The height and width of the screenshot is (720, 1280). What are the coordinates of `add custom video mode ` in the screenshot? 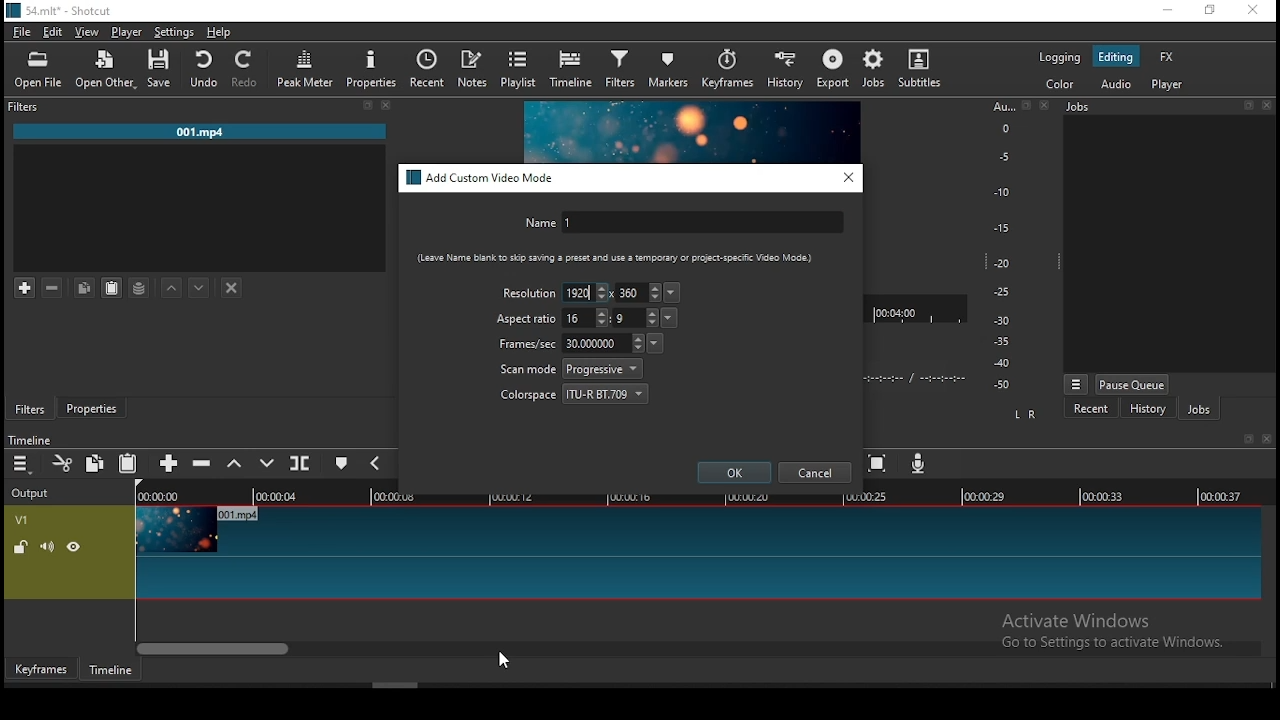 It's located at (482, 178).